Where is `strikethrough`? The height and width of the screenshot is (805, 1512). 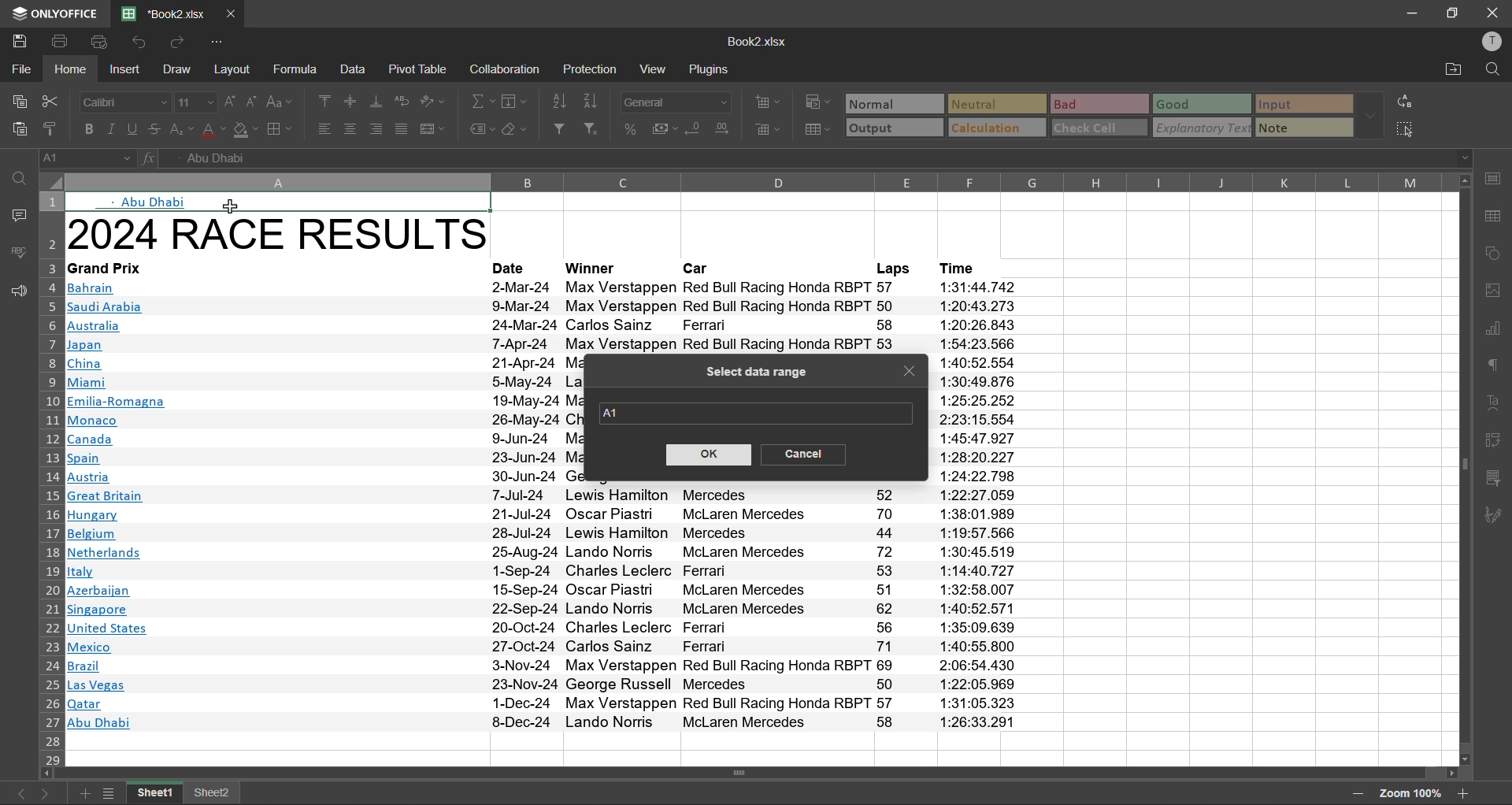 strikethrough is located at coordinates (154, 130).